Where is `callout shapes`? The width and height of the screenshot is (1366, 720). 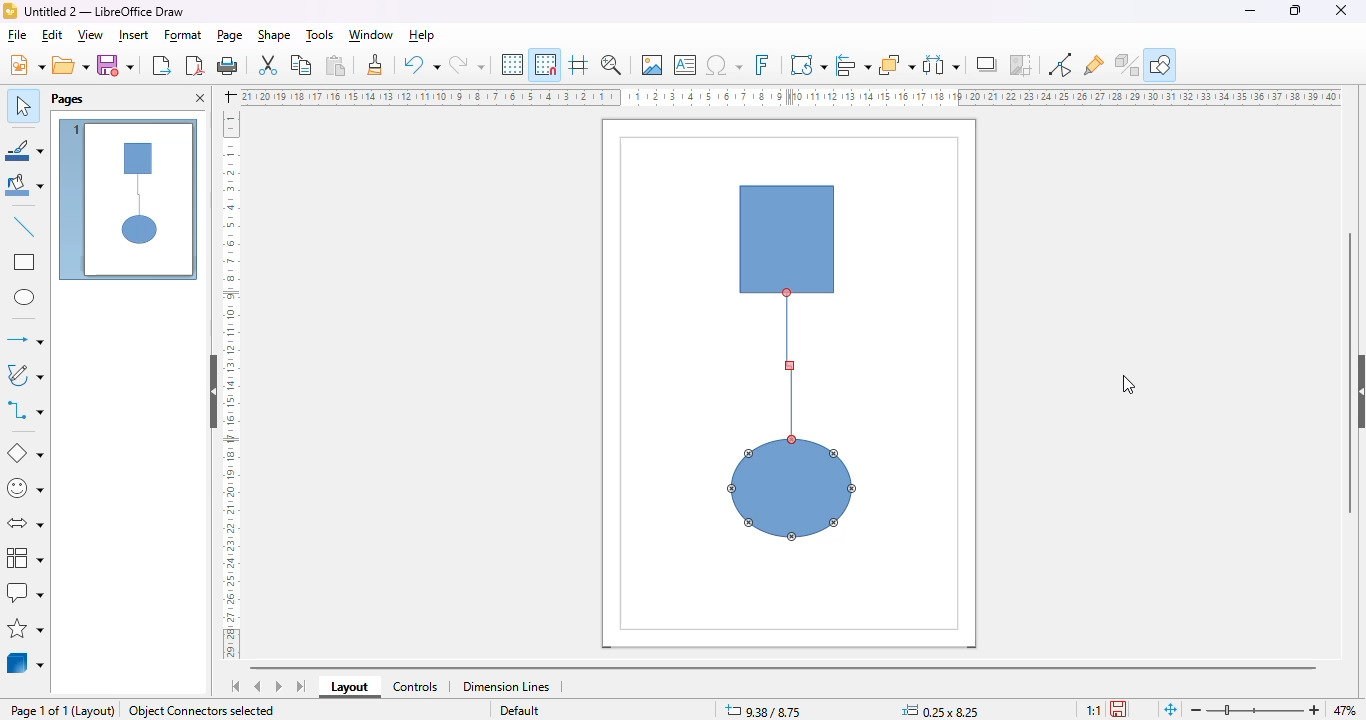
callout shapes is located at coordinates (26, 592).